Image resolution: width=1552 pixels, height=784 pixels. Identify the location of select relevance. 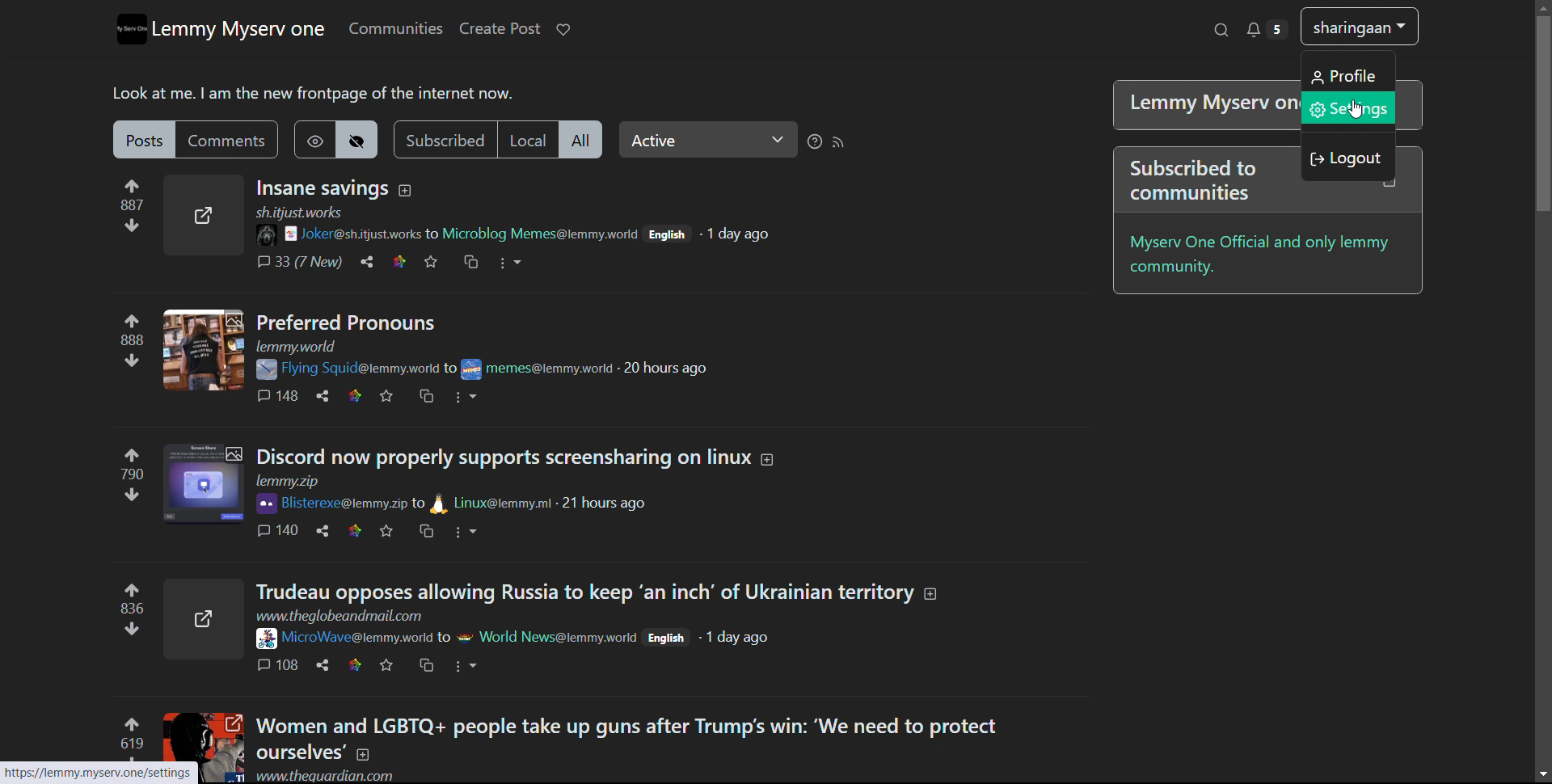
(708, 139).